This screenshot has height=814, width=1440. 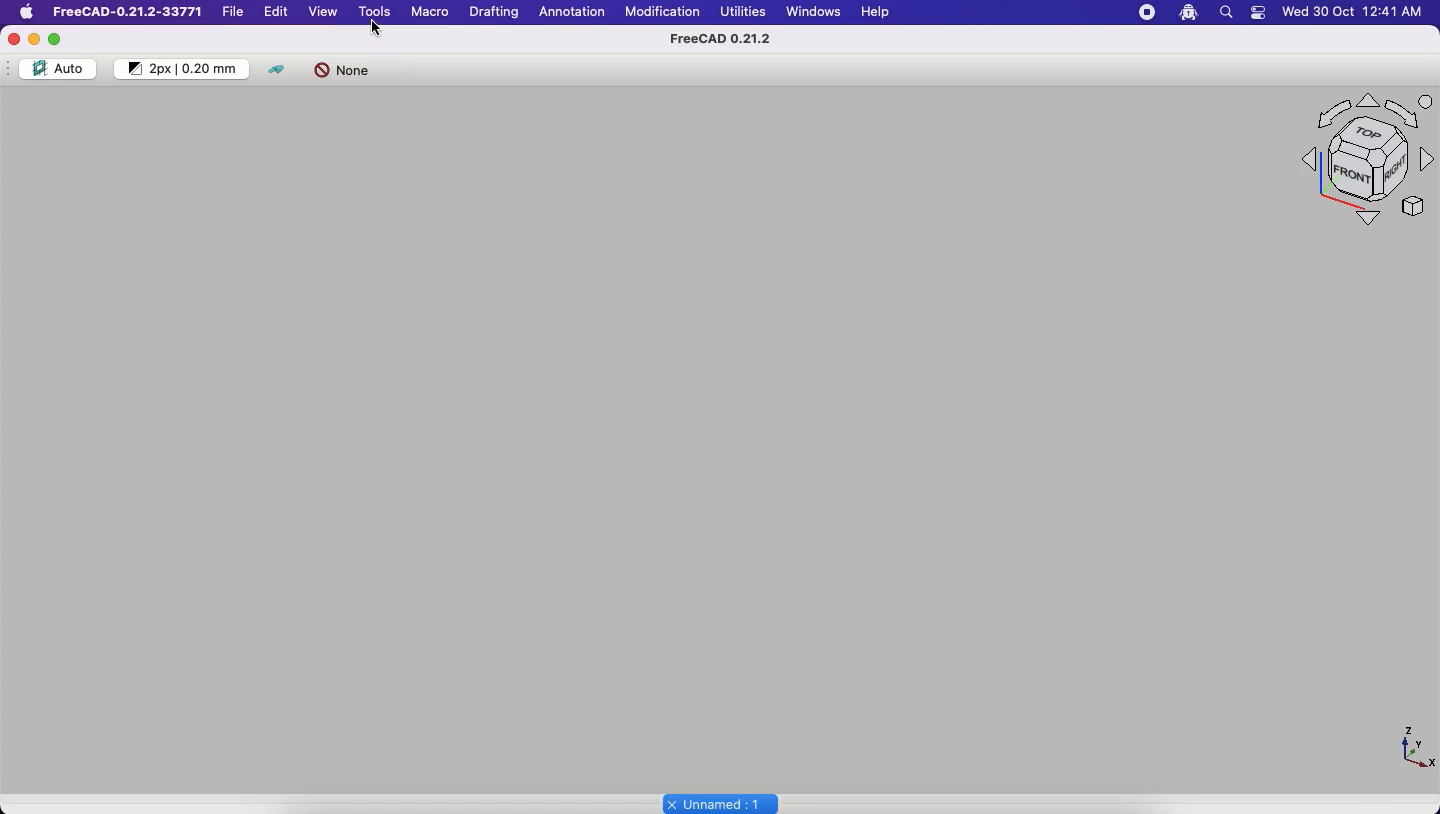 I want to click on FreeCAD, so click(x=719, y=40).